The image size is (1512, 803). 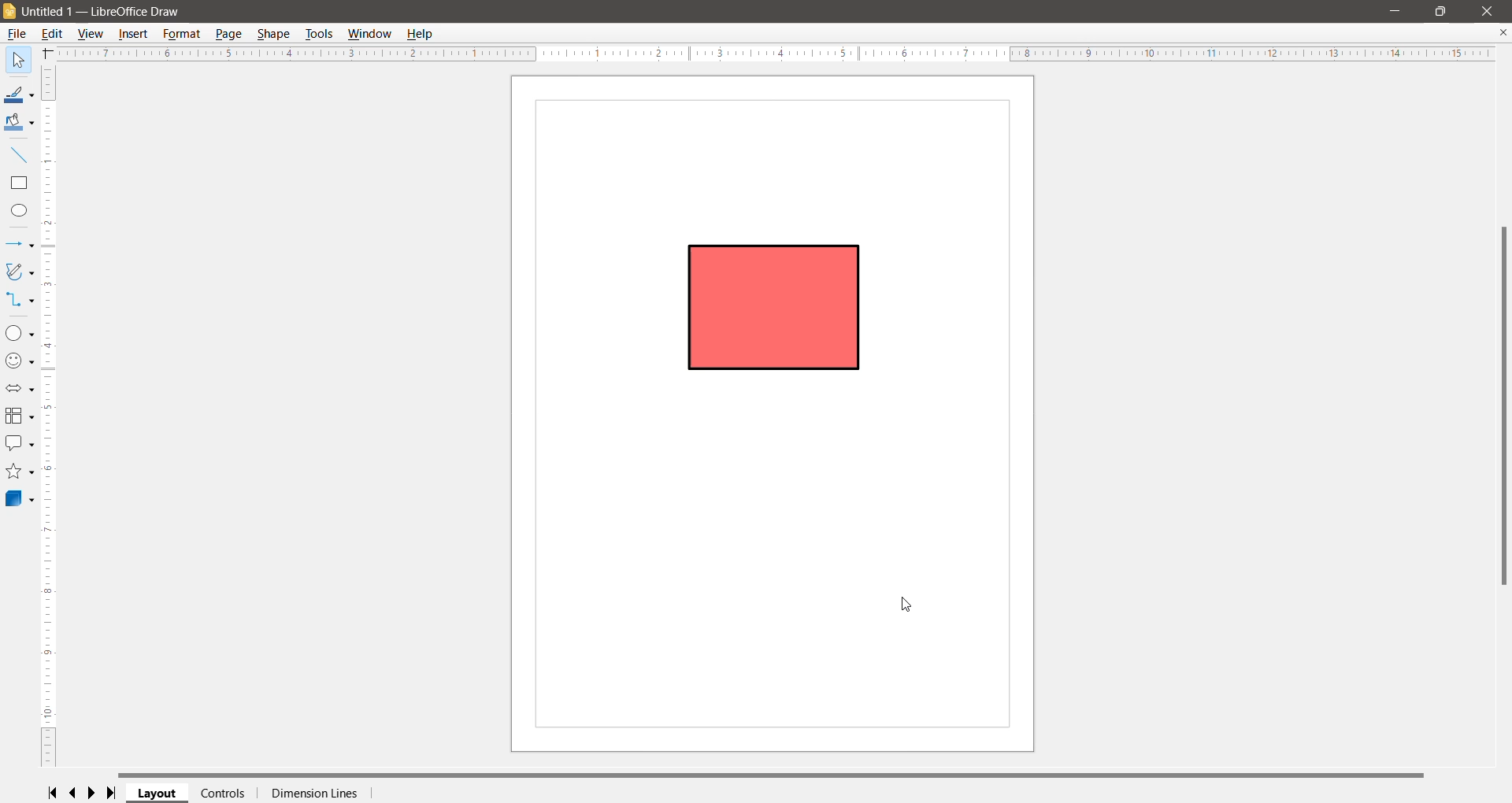 What do you see at coordinates (20, 155) in the screenshot?
I see `Insert Line` at bounding box center [20, 155].